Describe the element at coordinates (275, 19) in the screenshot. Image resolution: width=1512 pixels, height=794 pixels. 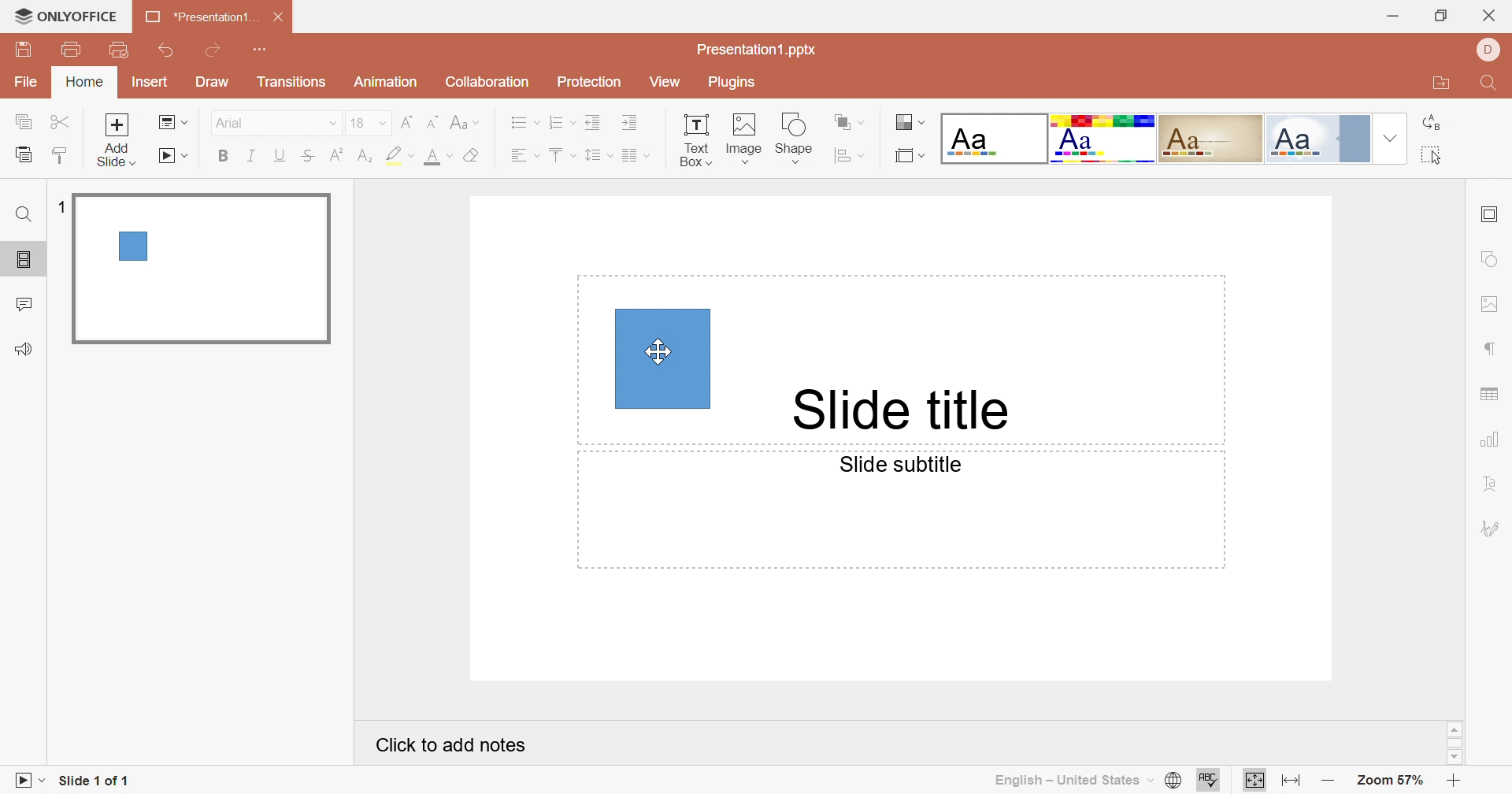
I see `Close` at that location.